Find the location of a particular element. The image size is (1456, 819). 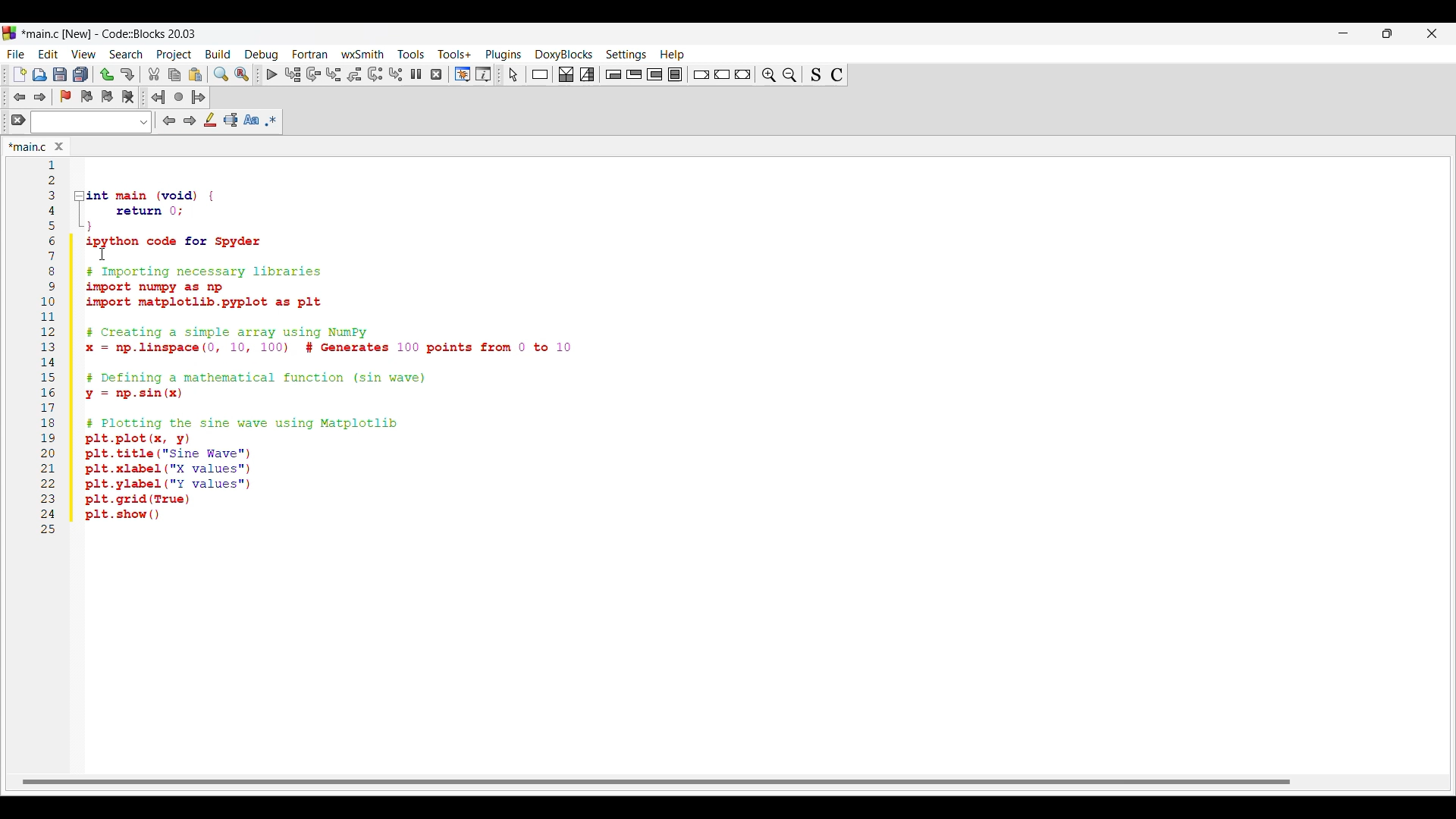

Use regex is located at coordinates (271, 121).